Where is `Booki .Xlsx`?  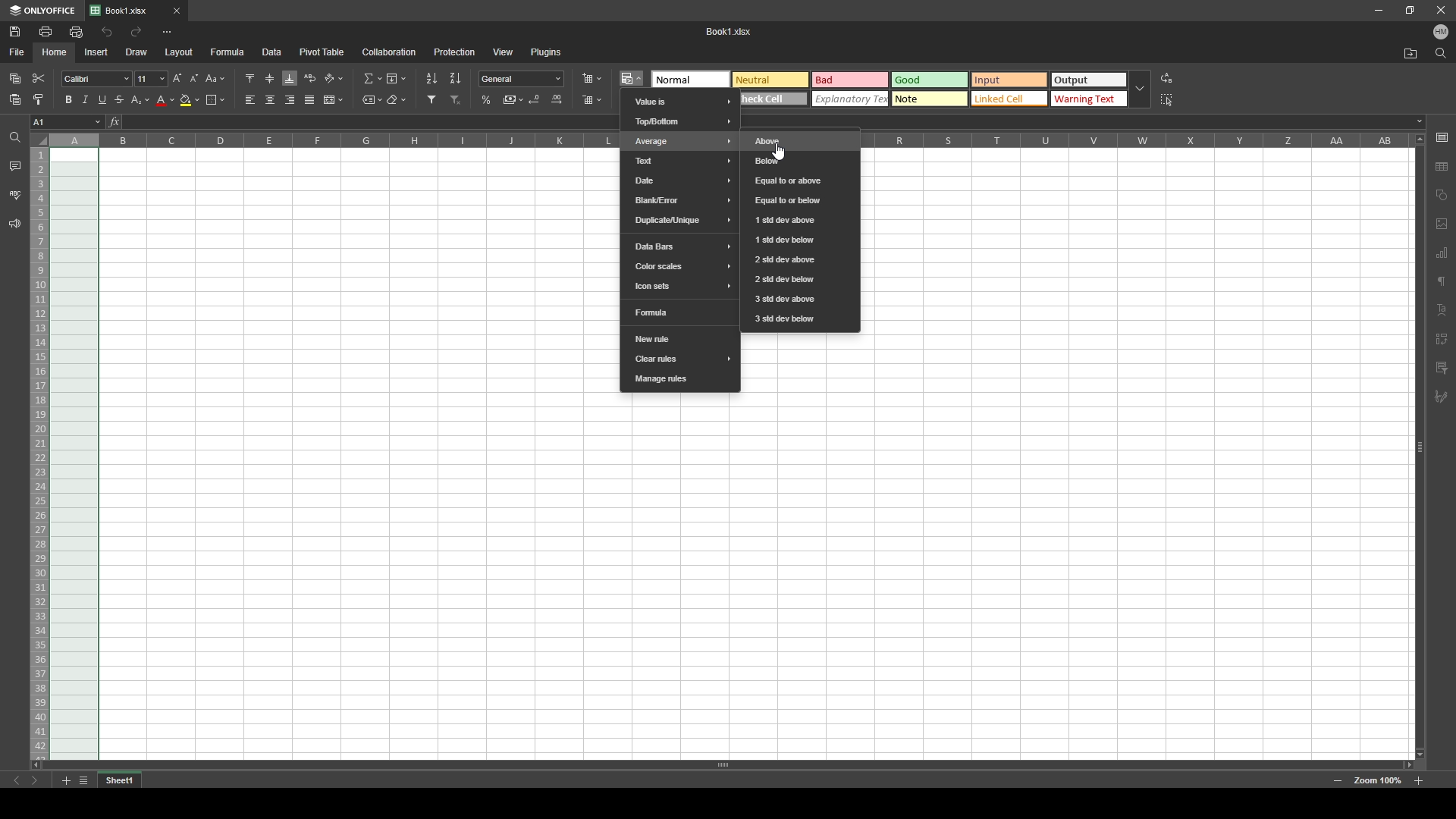
Booki .Xlsx is located at coordinates (730, 31).